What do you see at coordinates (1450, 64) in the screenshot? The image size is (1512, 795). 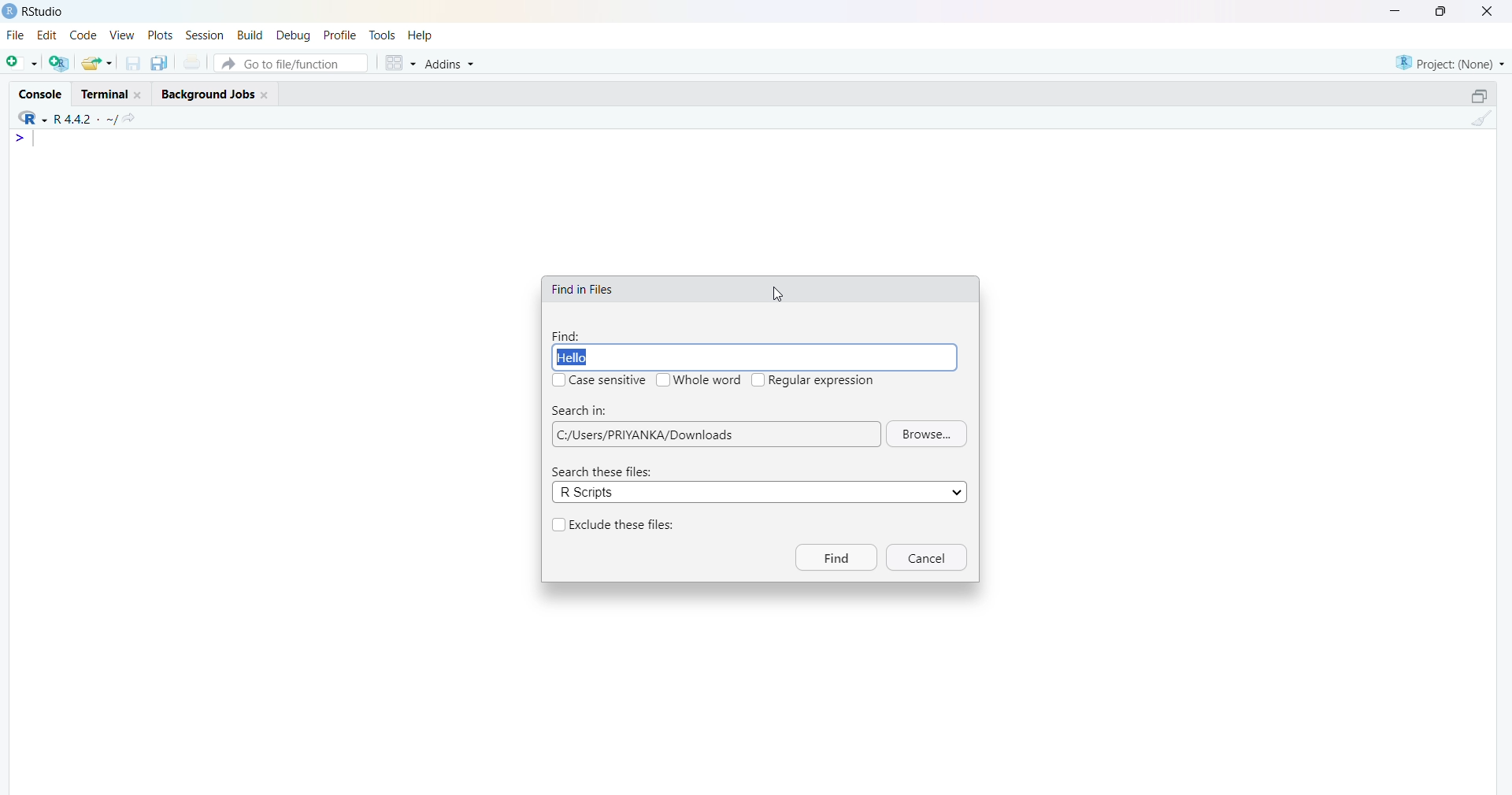 I see `Project: (none)` at bounding box center [1450, 64].